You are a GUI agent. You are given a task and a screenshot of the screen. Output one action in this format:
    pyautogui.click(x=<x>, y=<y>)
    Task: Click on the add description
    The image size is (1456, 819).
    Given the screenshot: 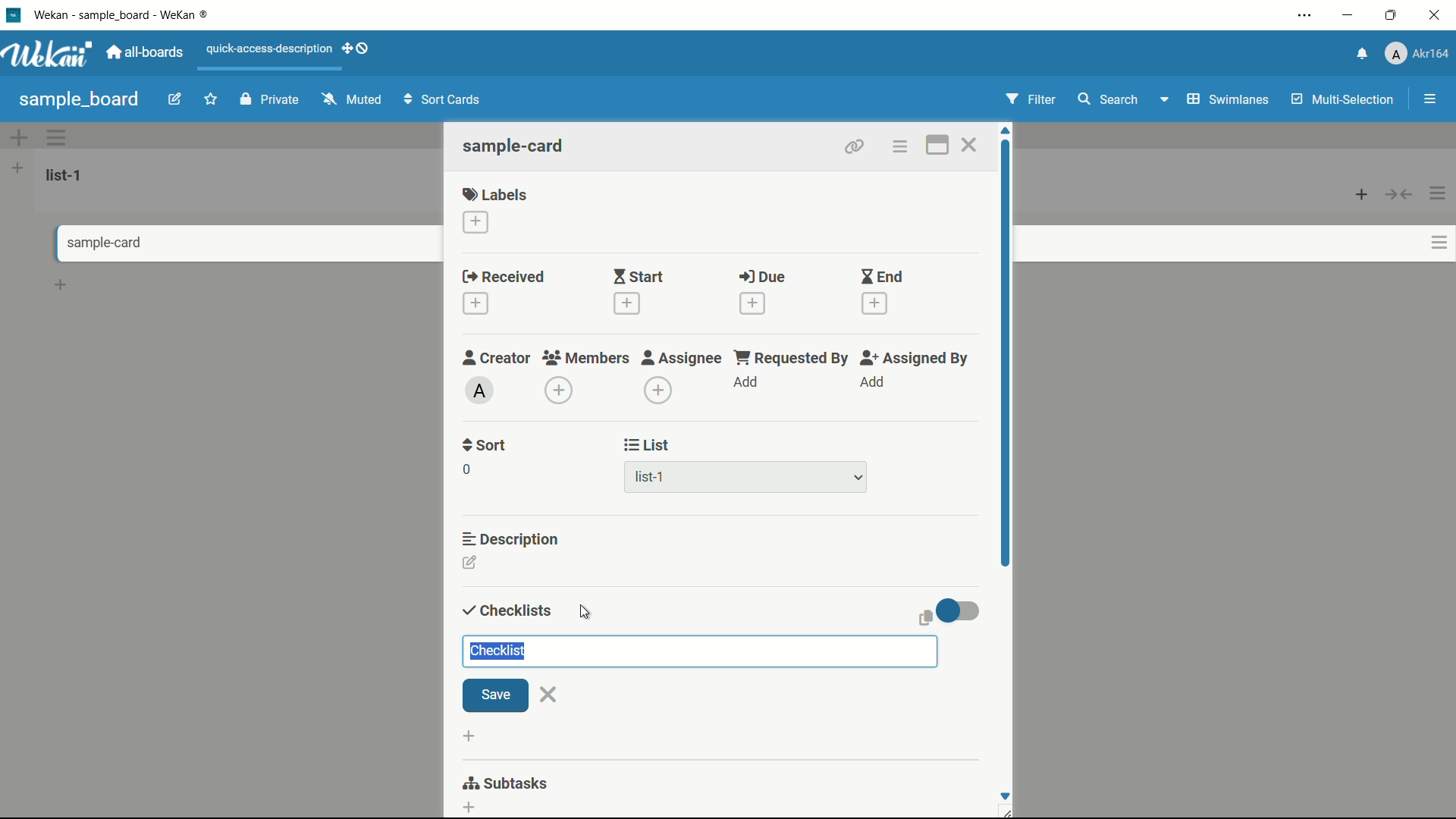 What is the action you would take?
    pyautogui.click(x=471, y=565)
    